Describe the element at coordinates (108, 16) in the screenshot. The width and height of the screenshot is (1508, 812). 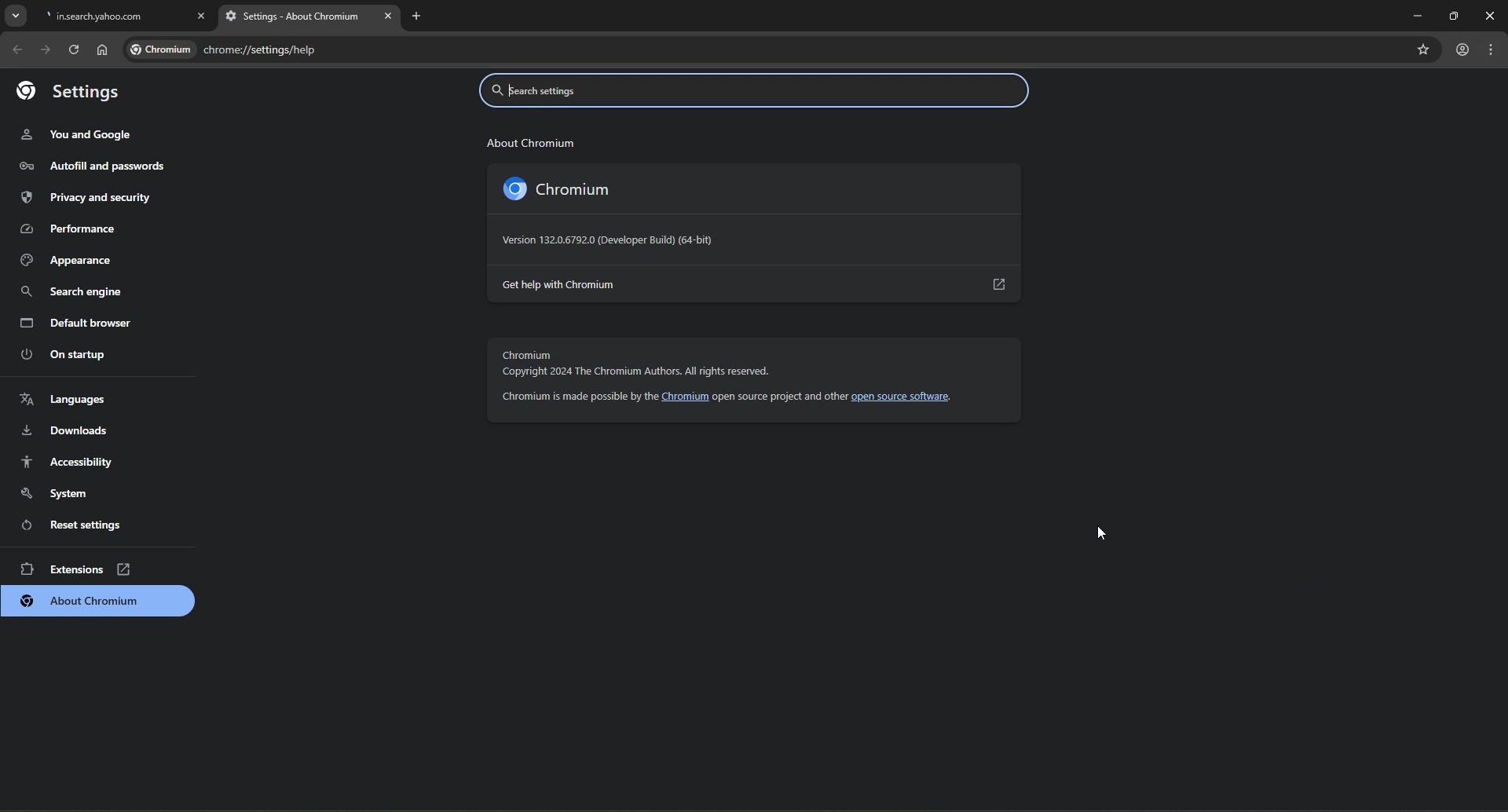
I see `Yahoo Search tab` at that location.